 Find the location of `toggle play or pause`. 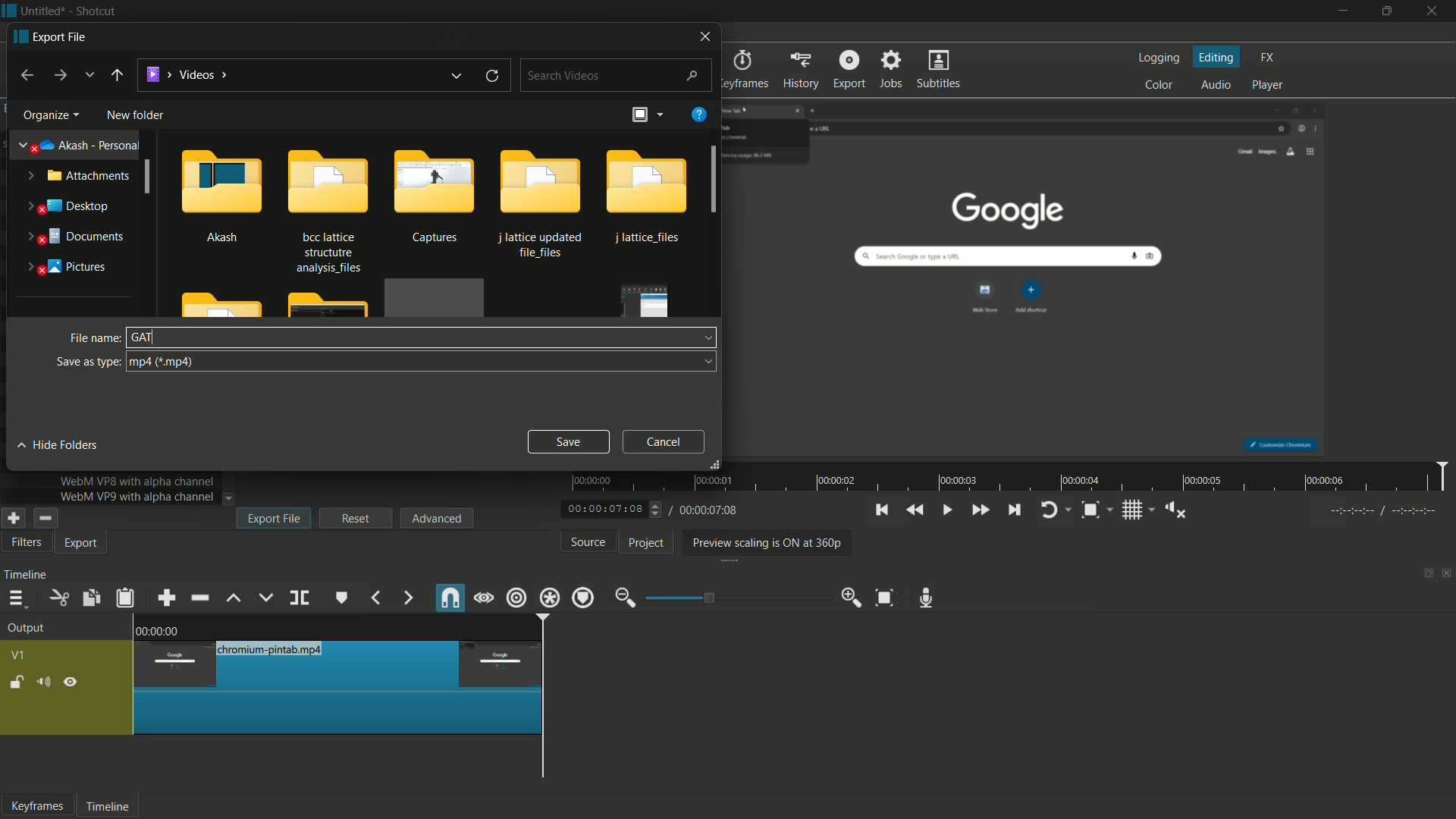

toggle play or pause is located at coordinates (946, 509).